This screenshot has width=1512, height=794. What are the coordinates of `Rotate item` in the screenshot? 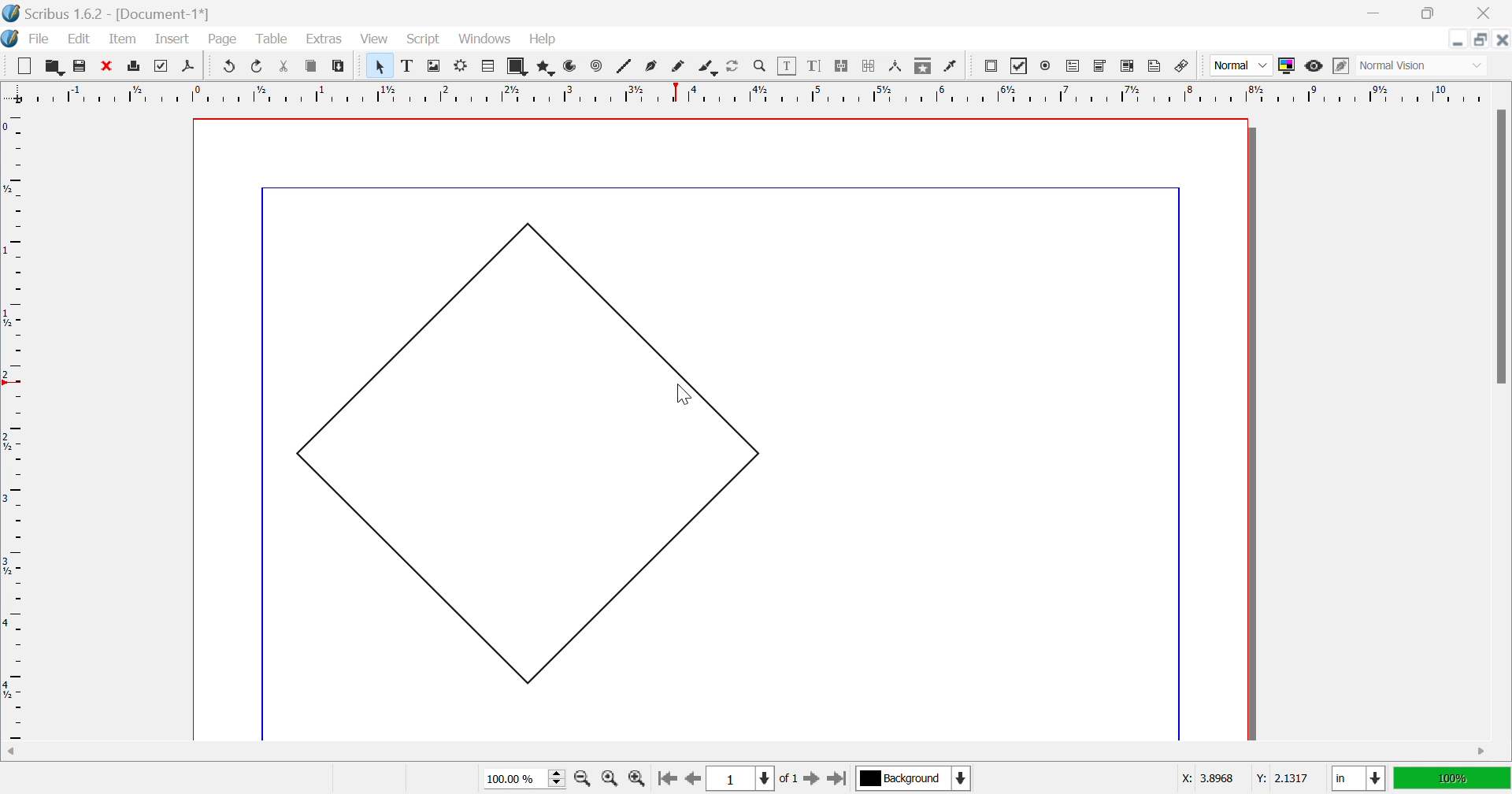 It's located at (732, 66).